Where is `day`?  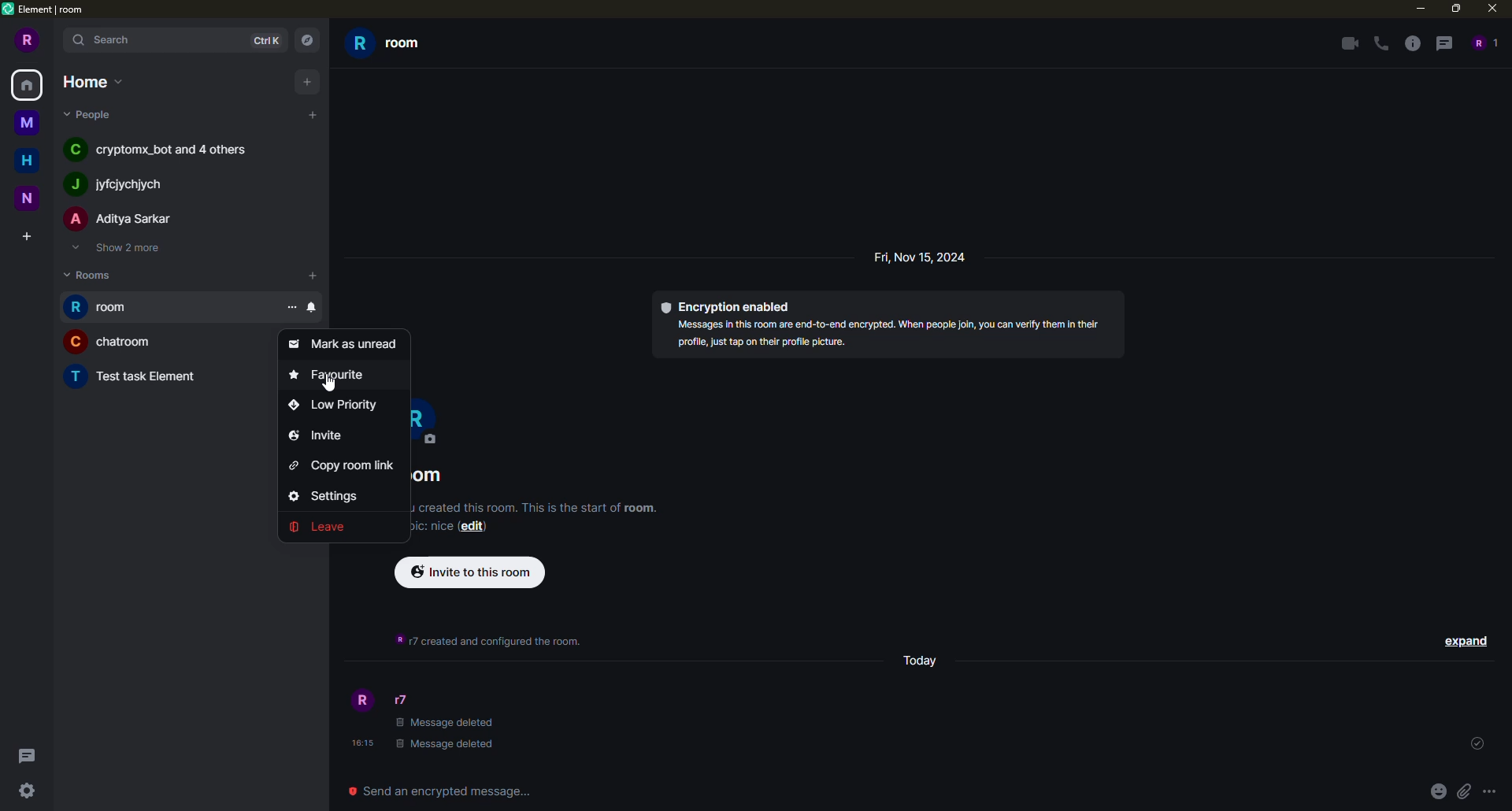 day is located at coordinates (923, 663).